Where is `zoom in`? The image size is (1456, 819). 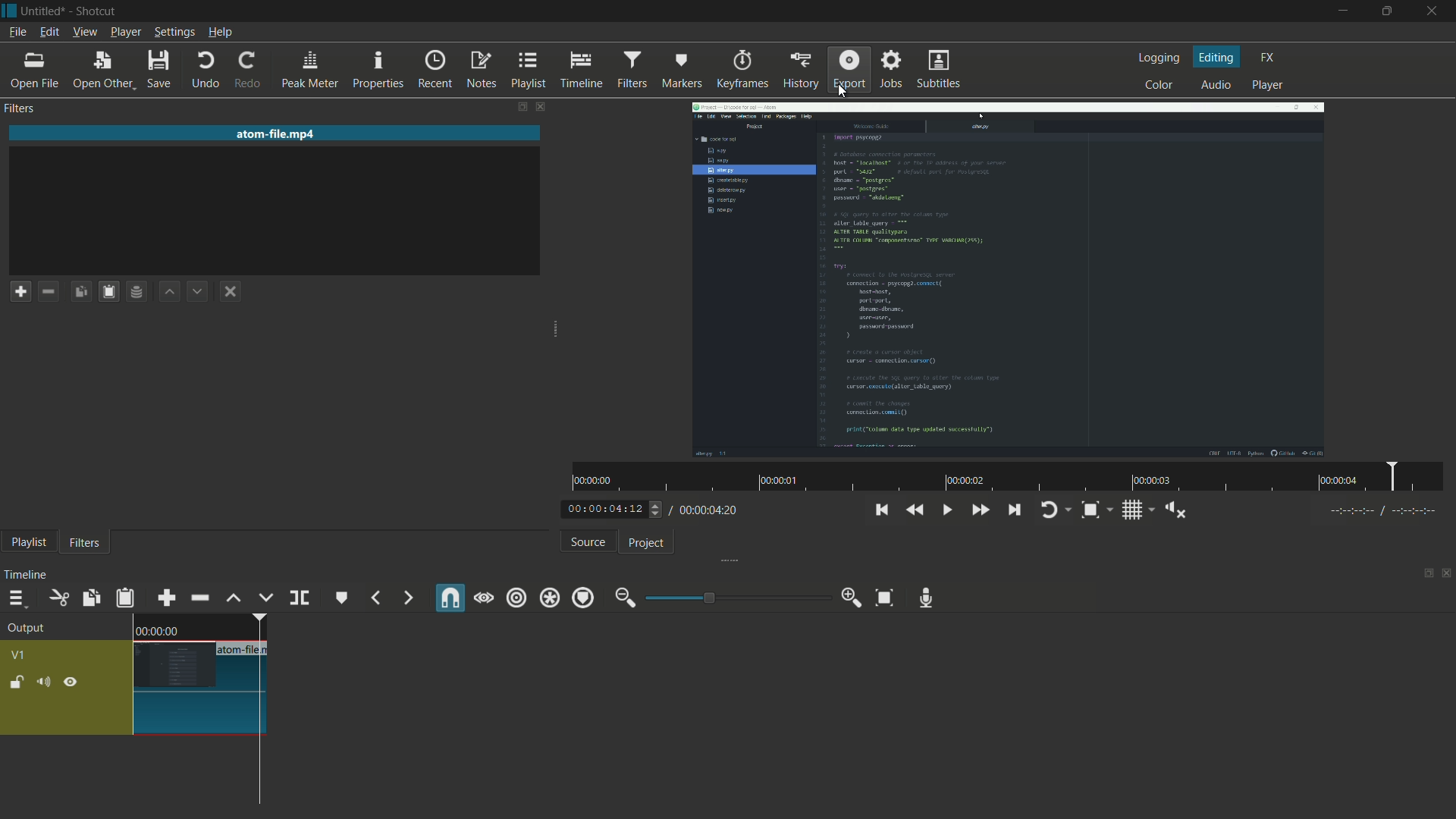 zoom in is located at coordinates (852, 598).